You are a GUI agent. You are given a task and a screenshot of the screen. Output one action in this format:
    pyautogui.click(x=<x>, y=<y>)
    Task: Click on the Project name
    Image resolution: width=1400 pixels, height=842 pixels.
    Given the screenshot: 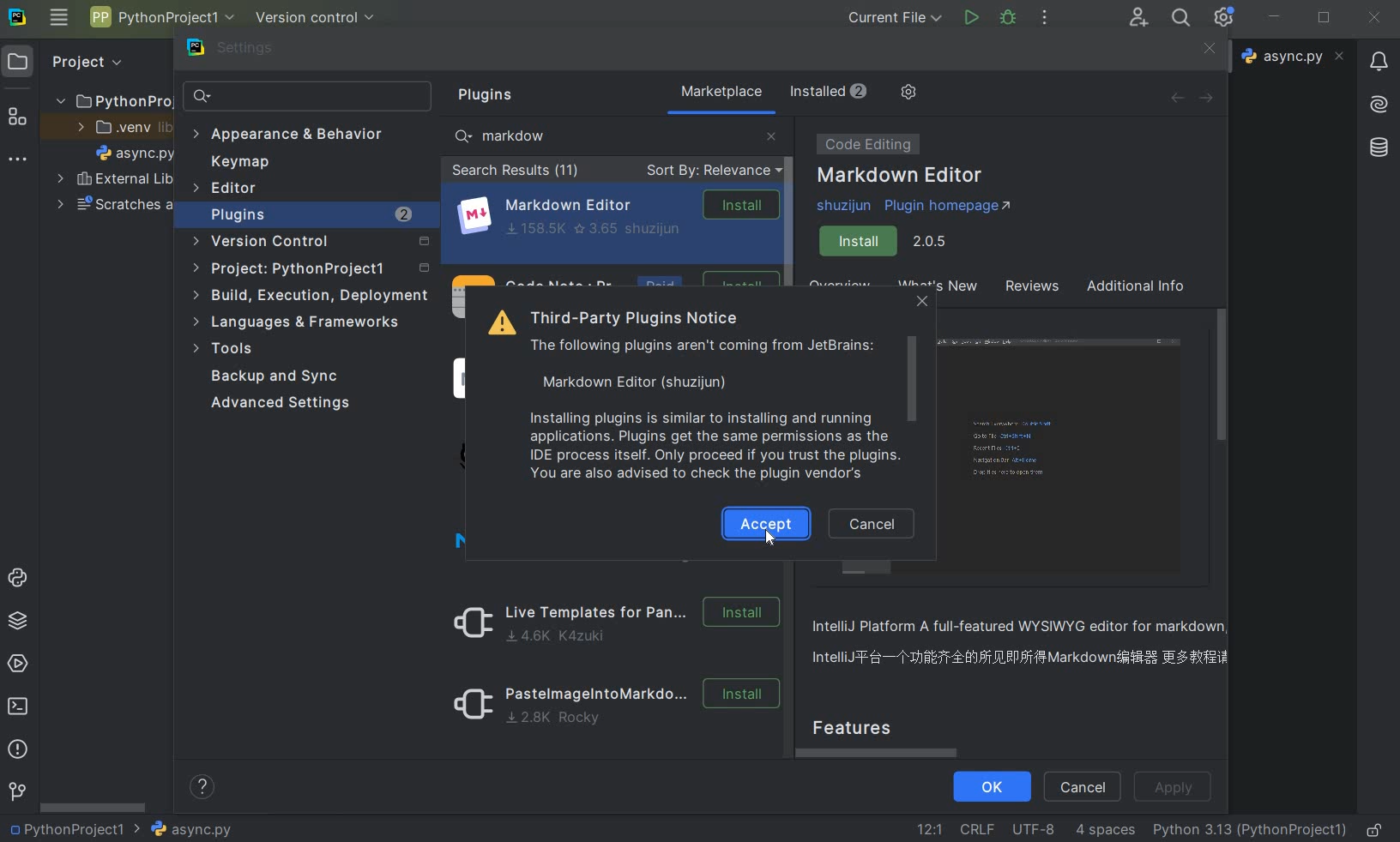 What is the action you would take?
    pyautogui.click(x=75, y=828)
    